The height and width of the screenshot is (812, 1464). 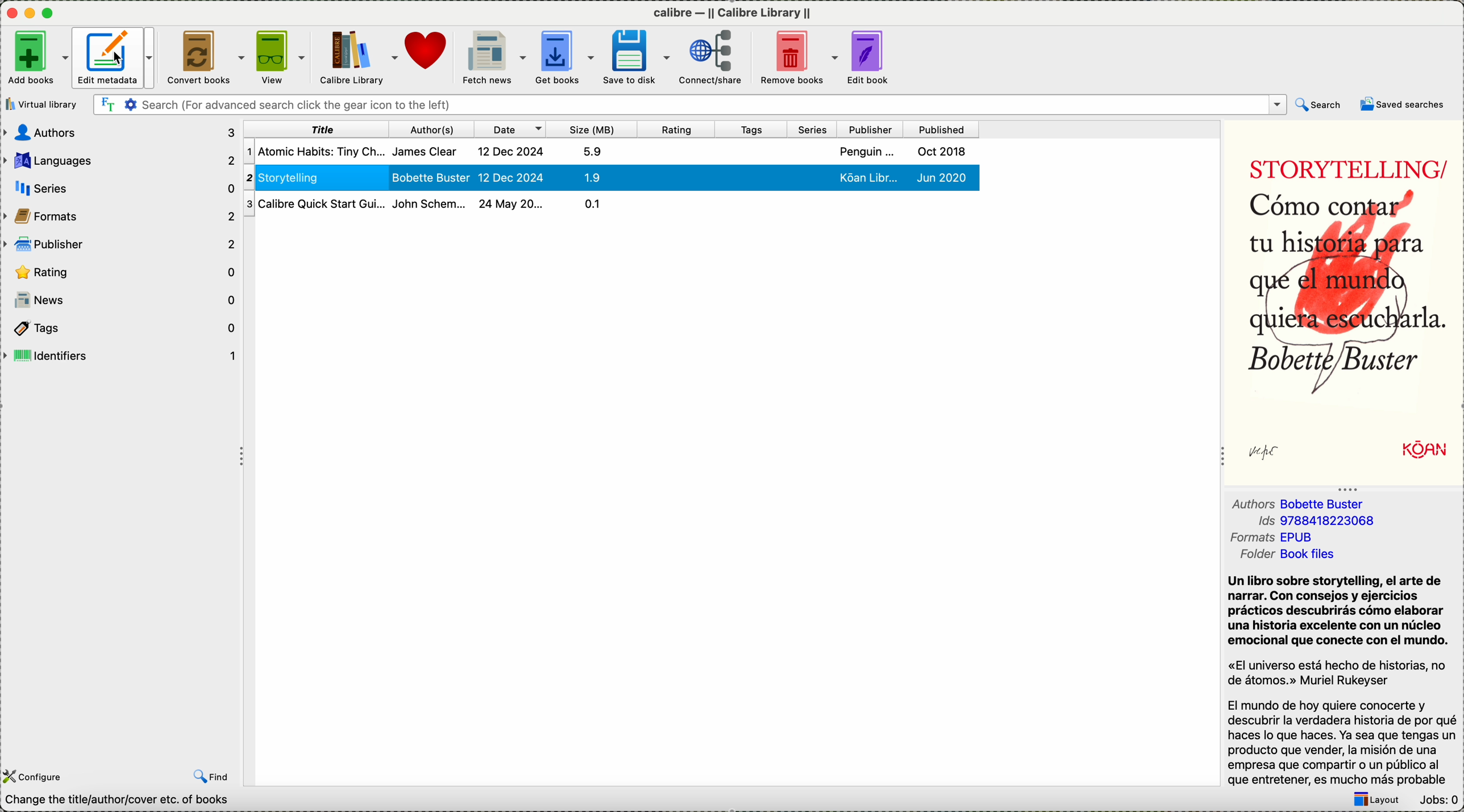 What do you see at coordinates (1400, 105) in the screenshot?
I see `saved searches` at bounding box center [1400, 105].